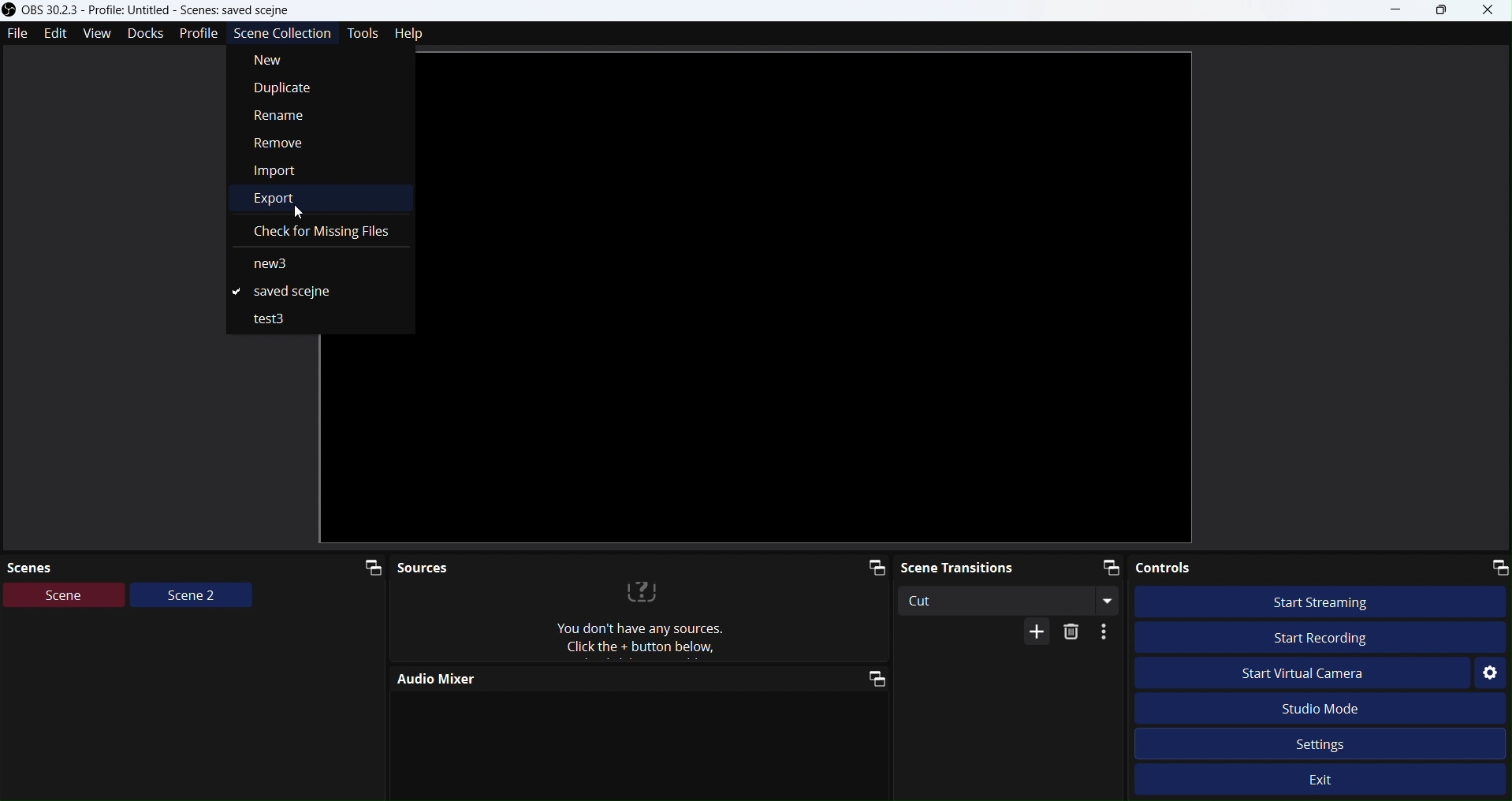 The width and height of the screenshot is (1512, 801). I want to click on Start streaming, so click(1323, 601).